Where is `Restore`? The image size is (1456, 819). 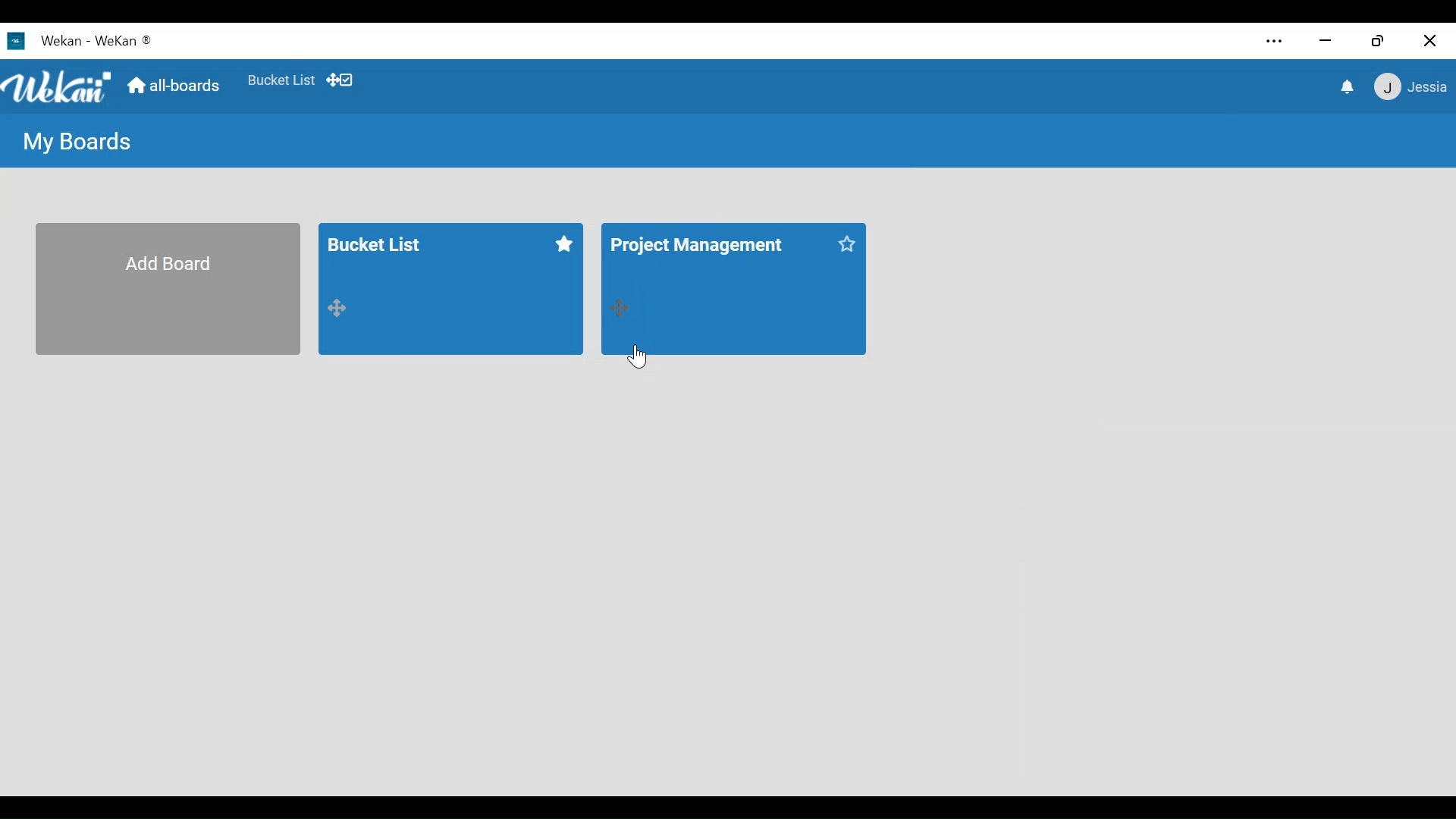
Restore is located at coordinates (1375, 36).